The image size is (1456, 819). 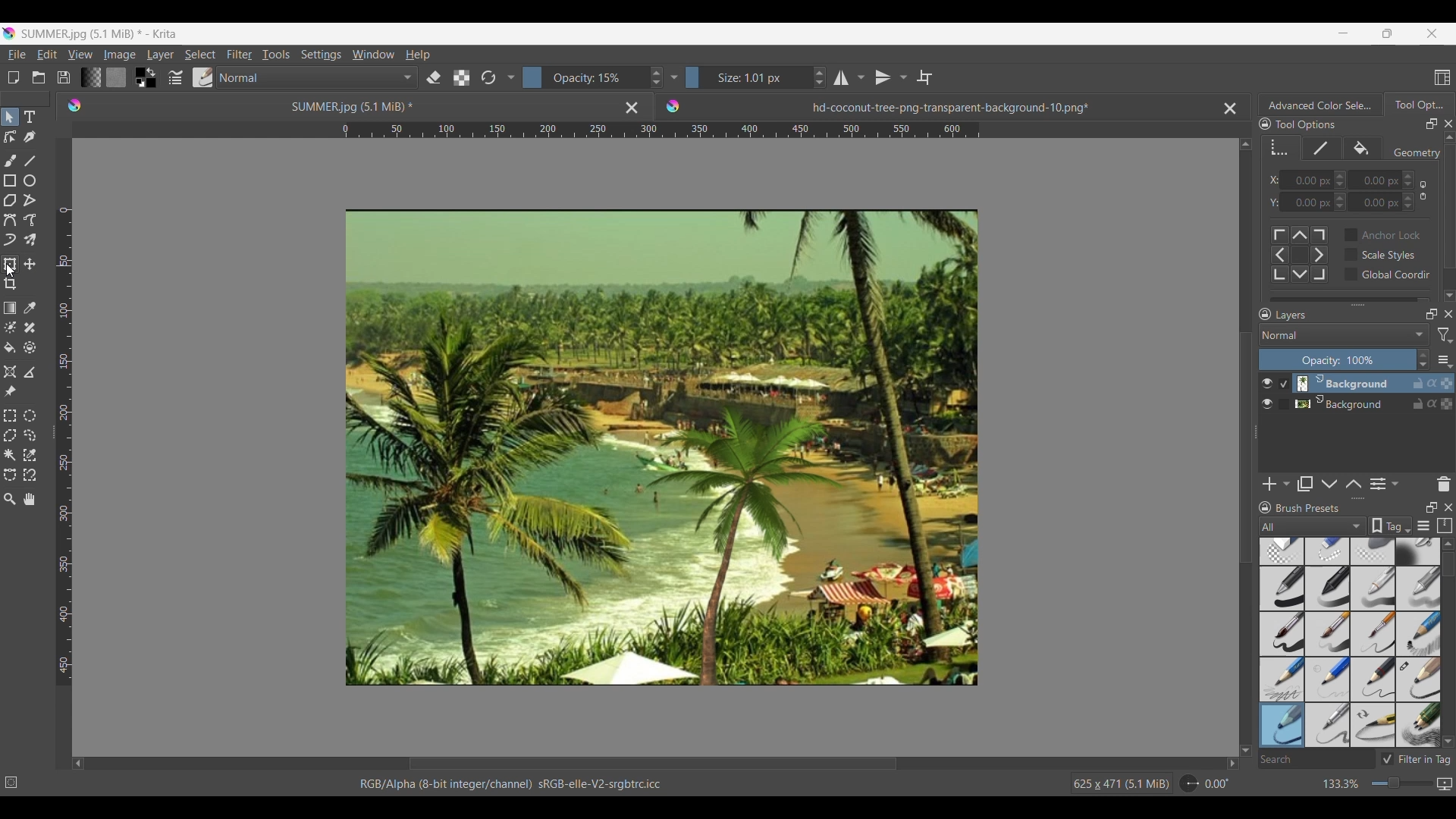 I want to click on Fill gradients, so click(x=90, y=77).